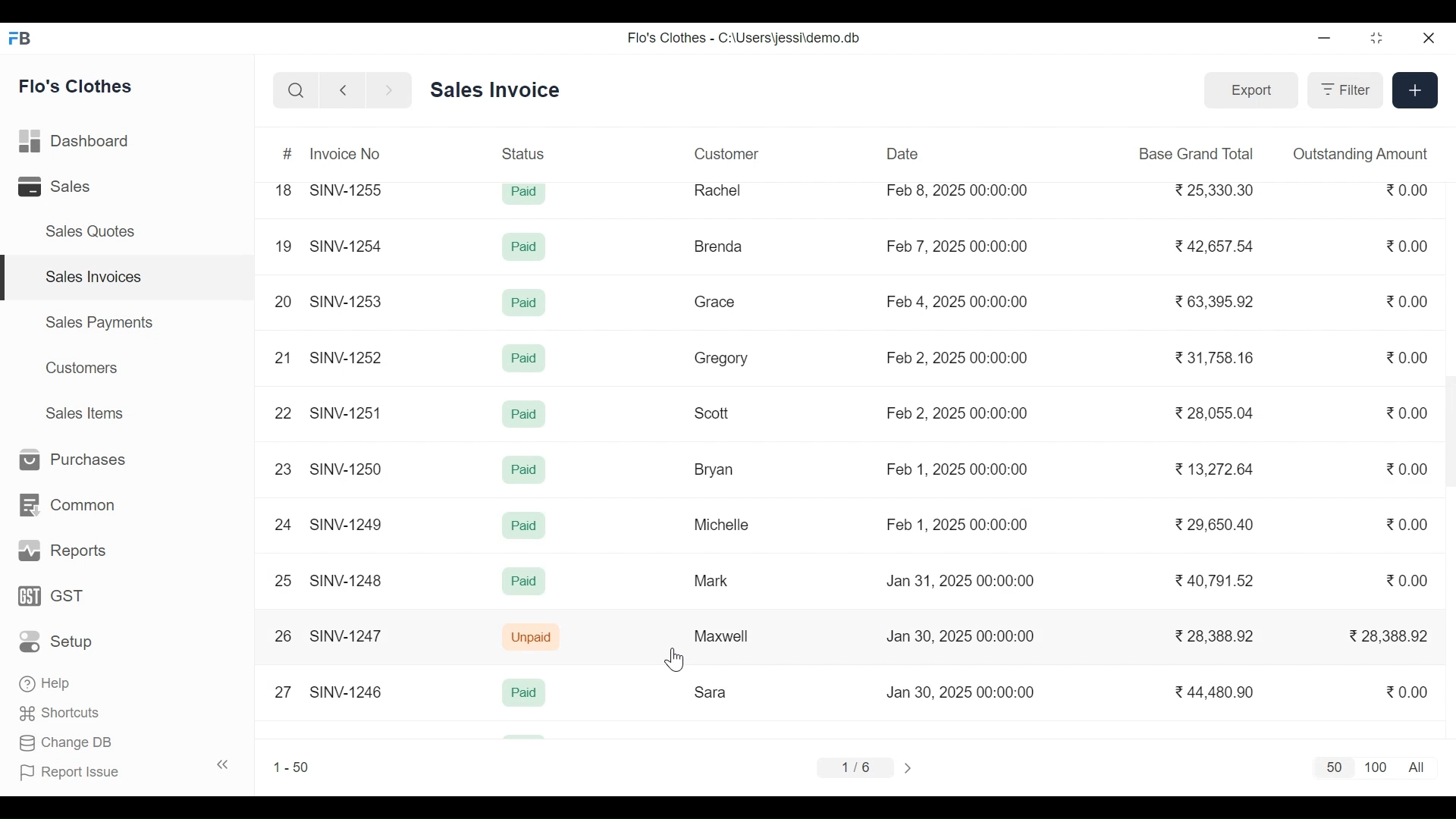 This screenshot has height=819, width=1456. What do you see at coordinates (1215, 469) in the screenshot?
I see `13,272.64` at bounding box center [1215, 469].